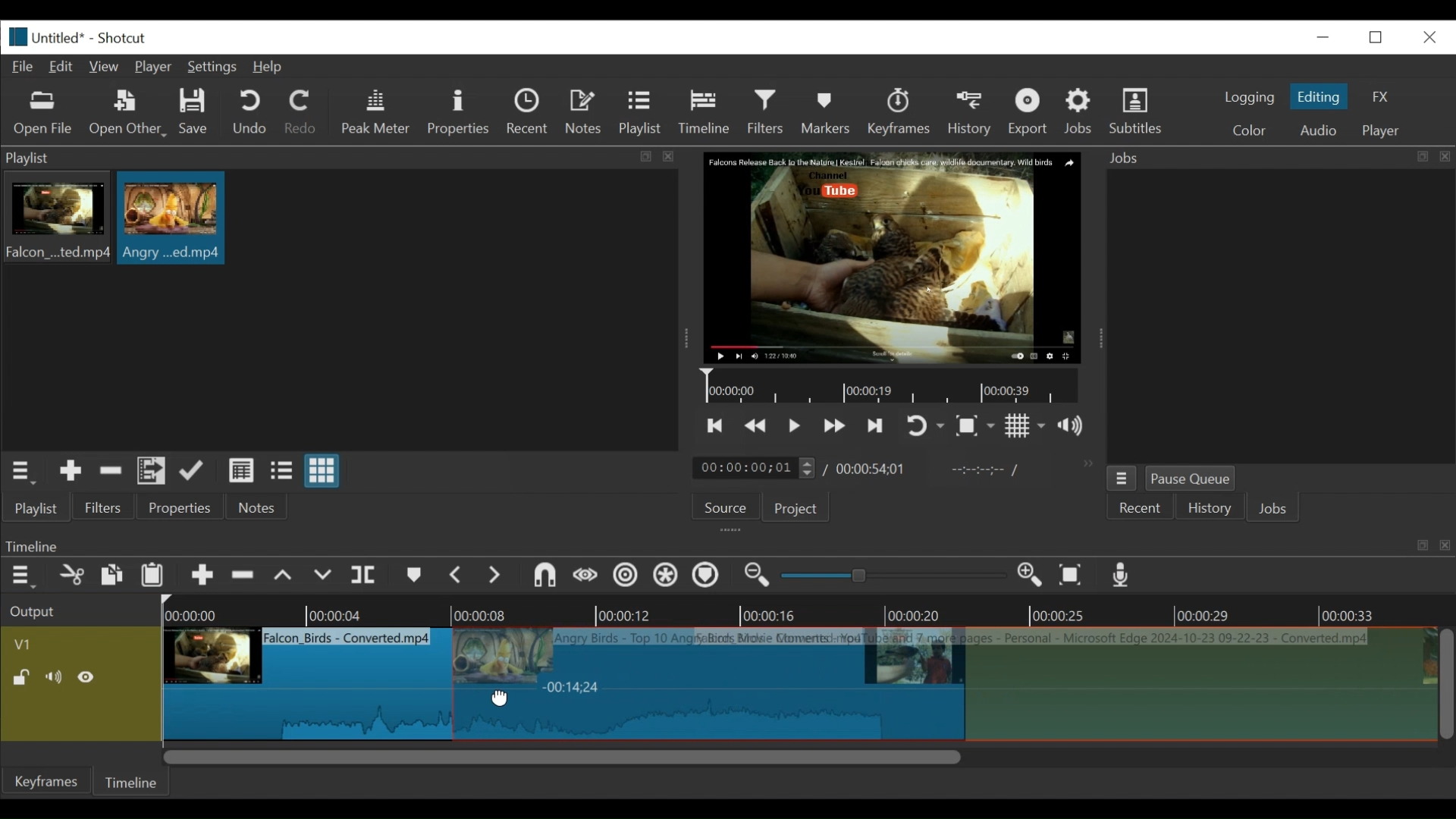  Describe the element at coordinates (285, 577) in the screenshot. I see `lift` at that location.